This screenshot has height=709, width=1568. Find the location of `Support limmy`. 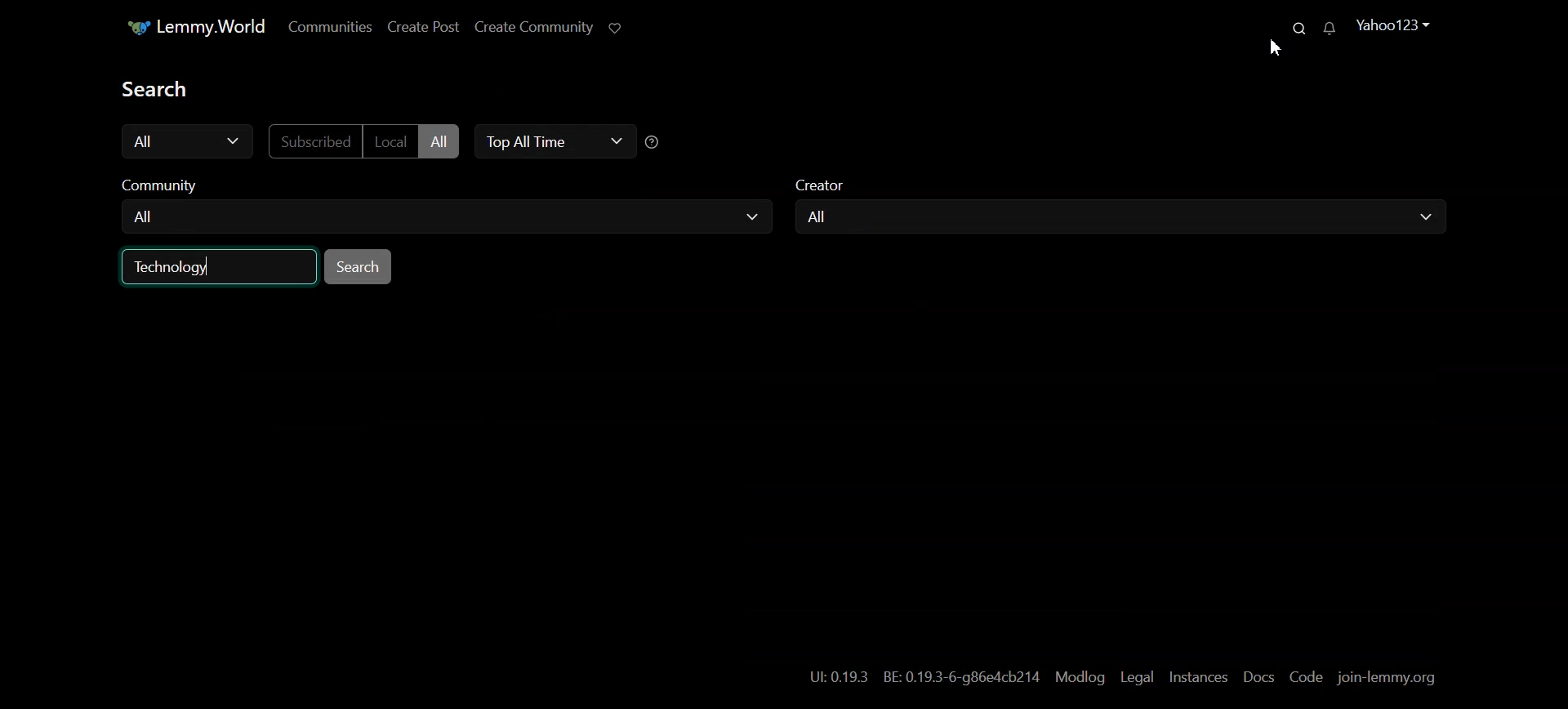

Support limmy is located at coordinates (615, 27).